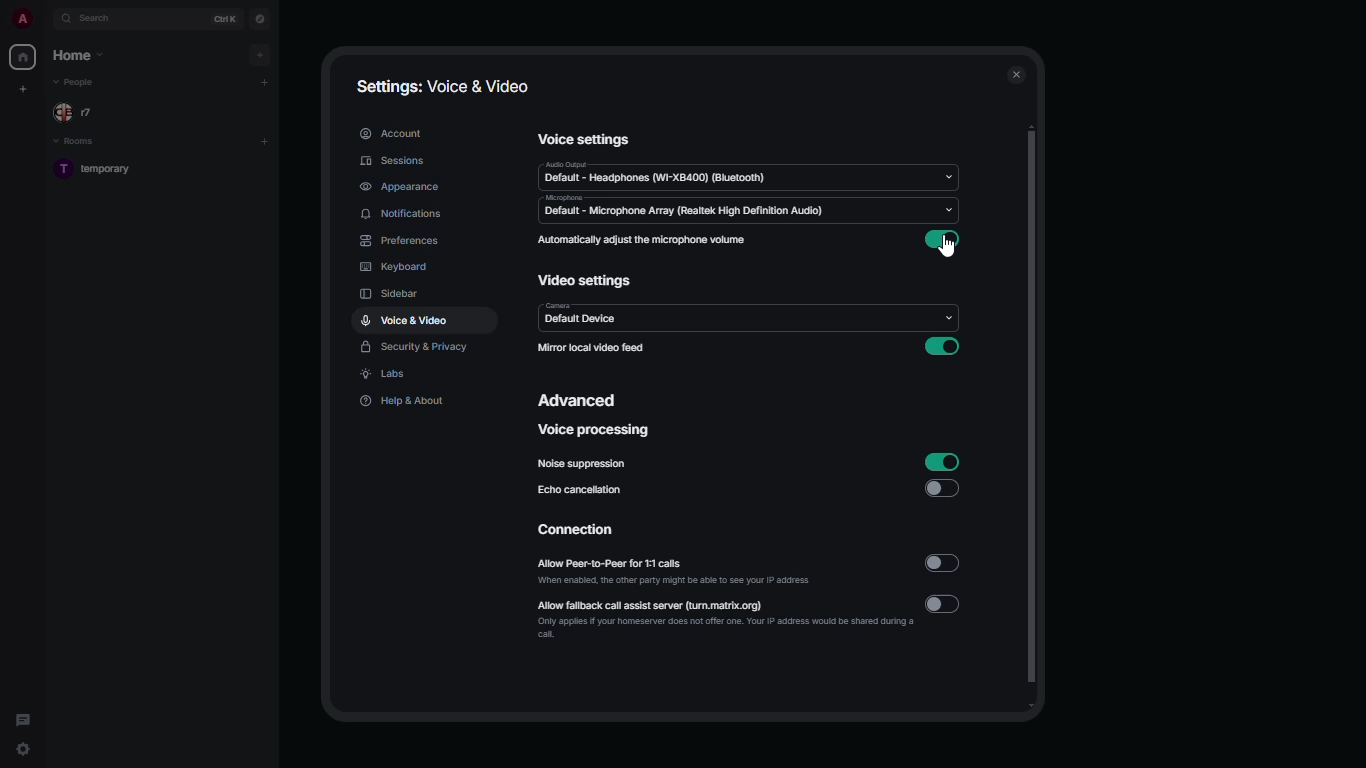  What do you see at coordinates (24, 720) in the screenshot?
I see `threads` at bounding box center [24, 720].